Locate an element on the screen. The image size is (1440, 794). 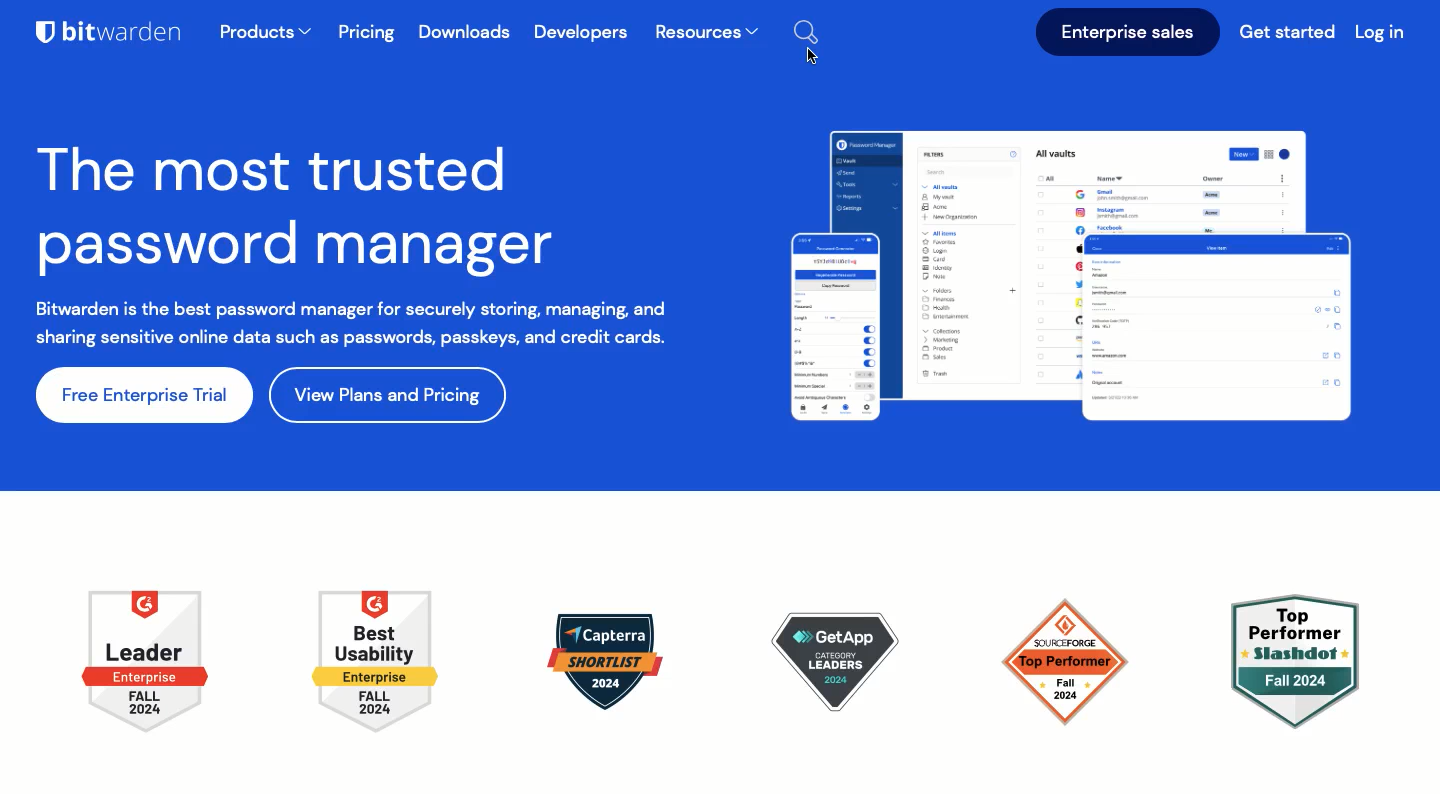
Developers is located at coordinates (580, 33).